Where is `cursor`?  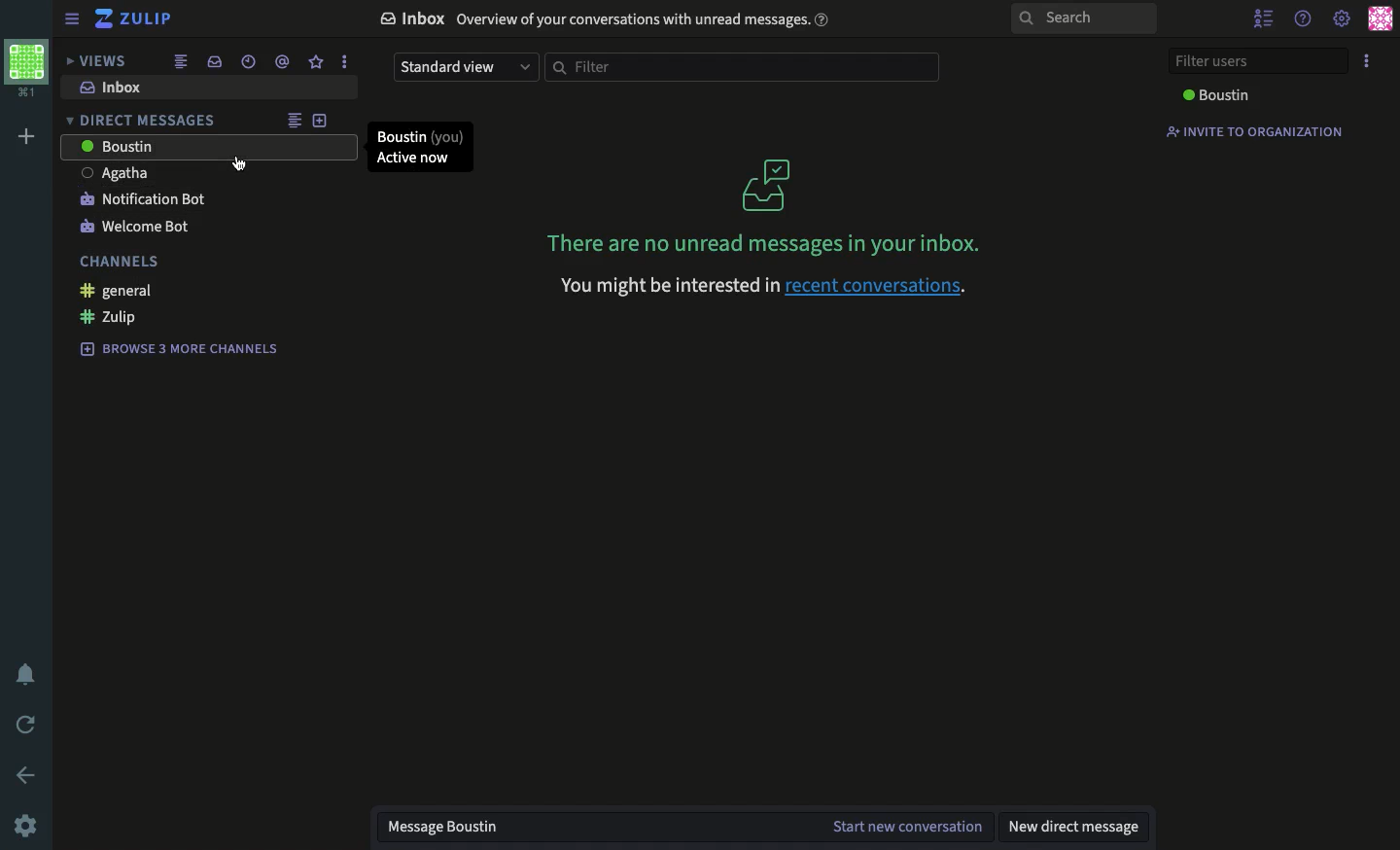
cursor is located at coordinates (242, 166).